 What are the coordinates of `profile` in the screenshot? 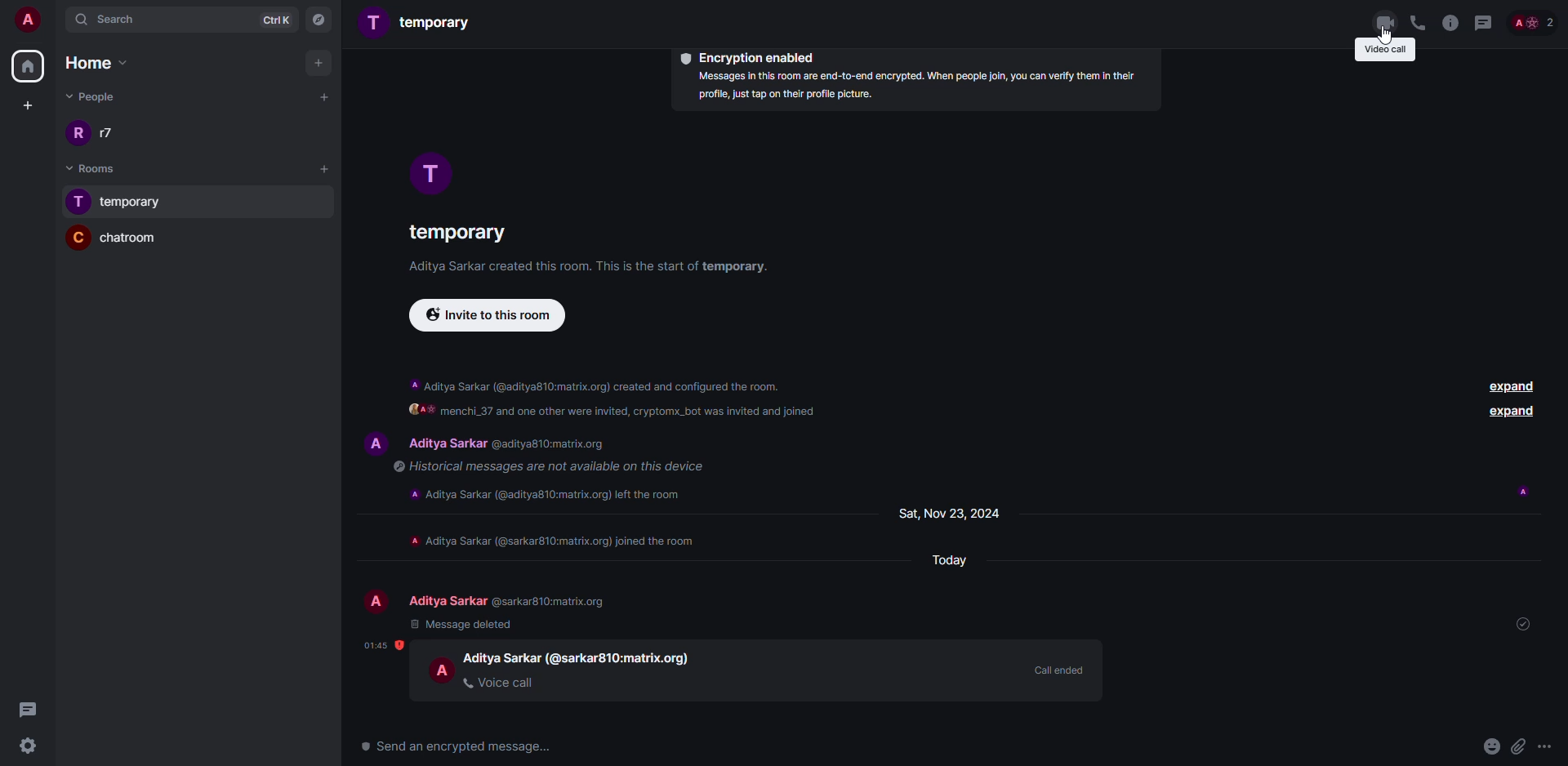 It's located at (370, 601).